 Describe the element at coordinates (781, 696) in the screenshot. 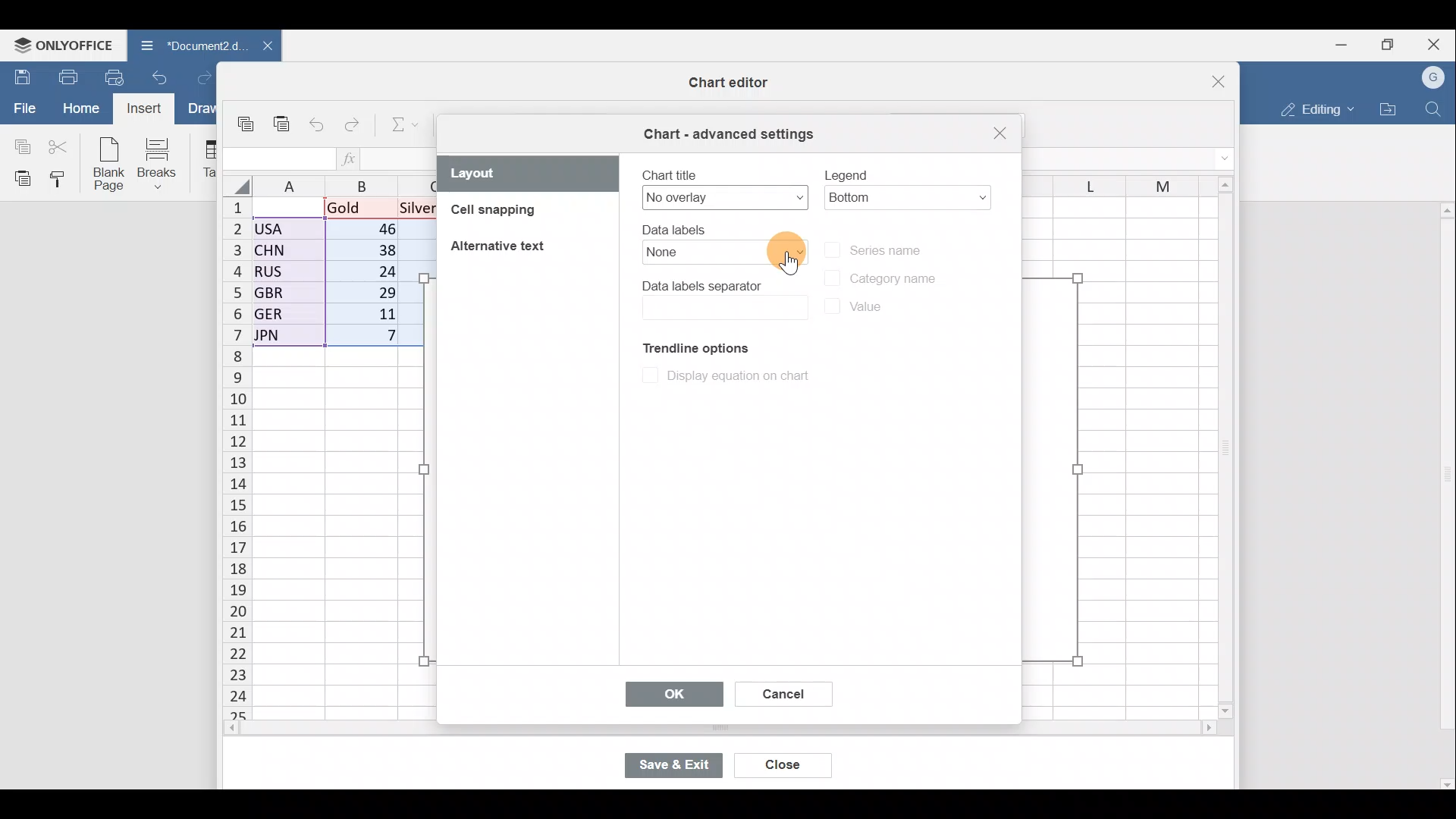

I see `Cancel` at that location.